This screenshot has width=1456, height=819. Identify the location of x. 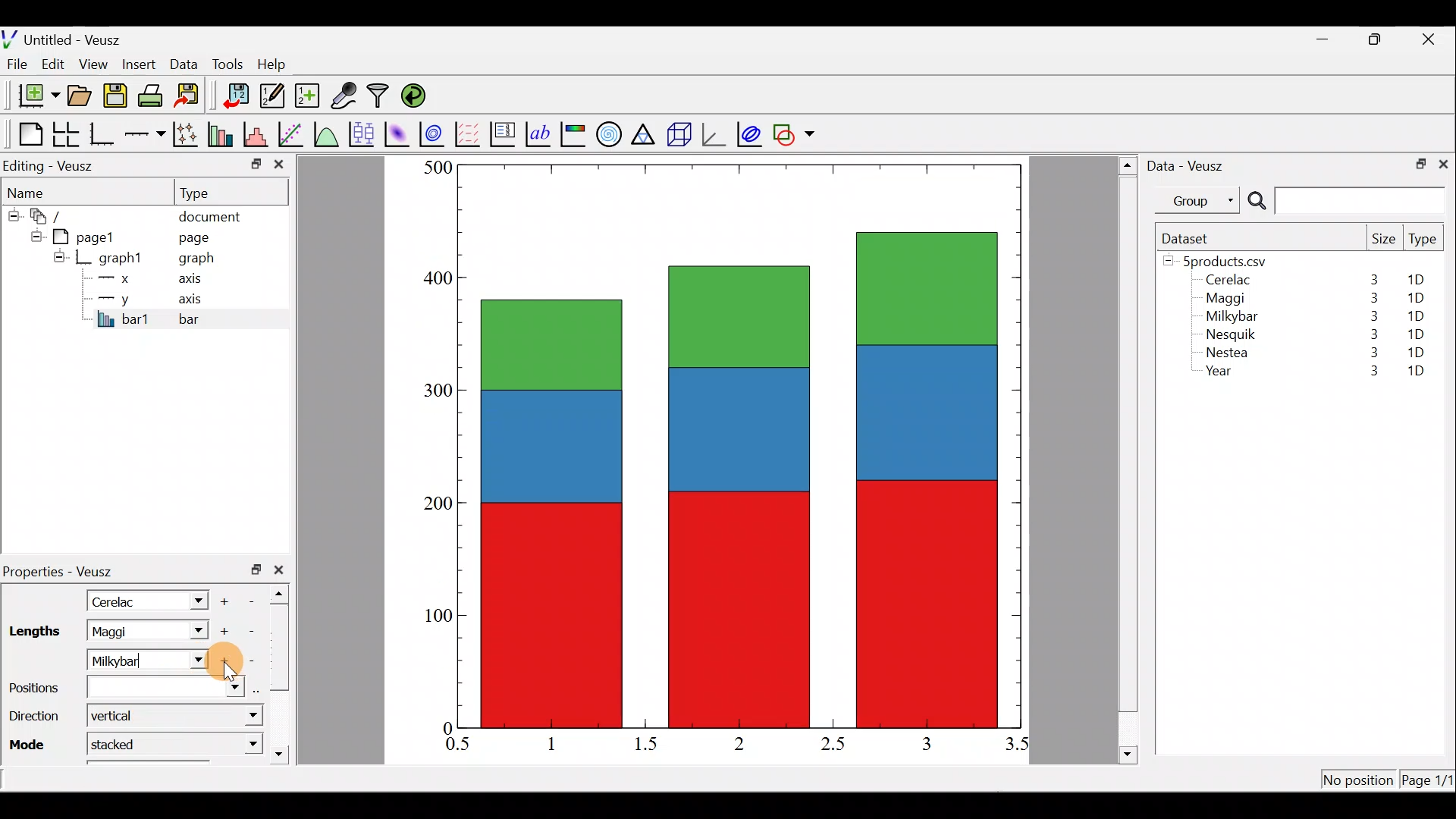
(118, 278).